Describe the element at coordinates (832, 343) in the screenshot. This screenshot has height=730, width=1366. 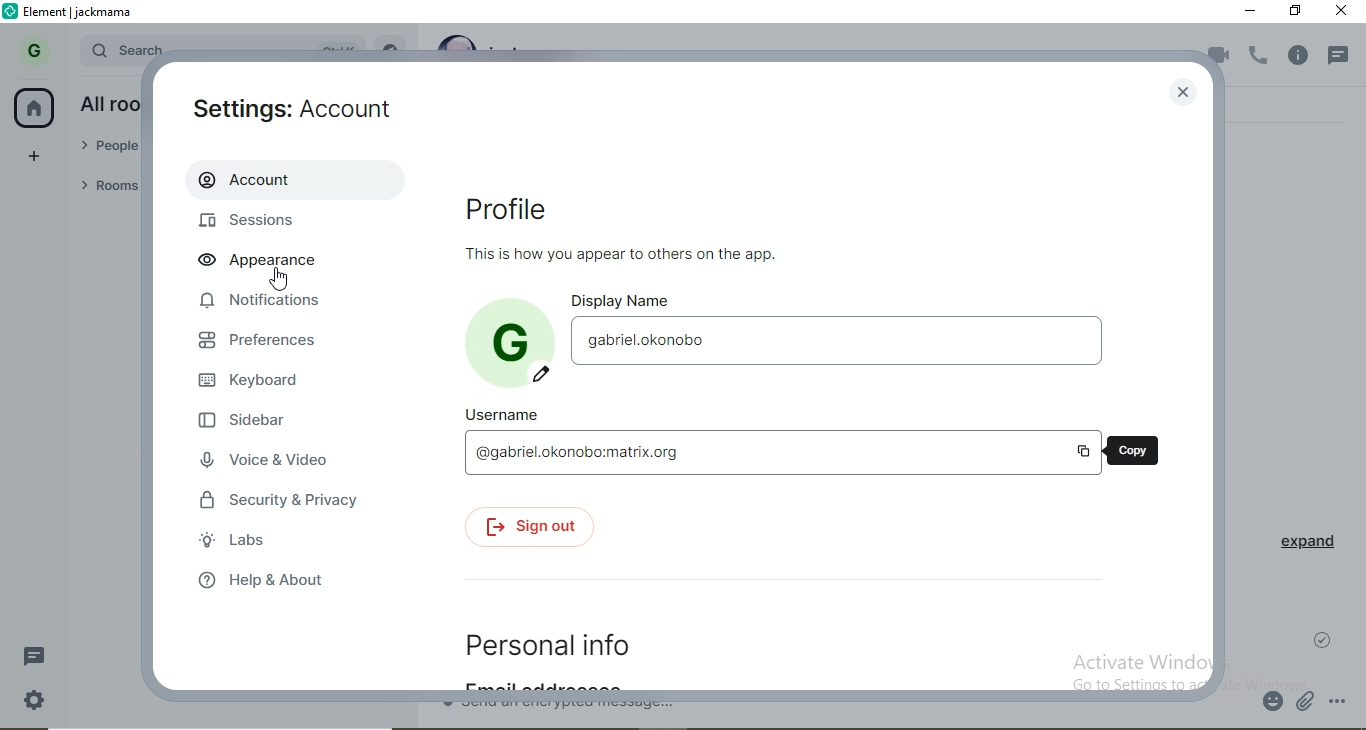
I see `gabriel.okonobo` at that location.